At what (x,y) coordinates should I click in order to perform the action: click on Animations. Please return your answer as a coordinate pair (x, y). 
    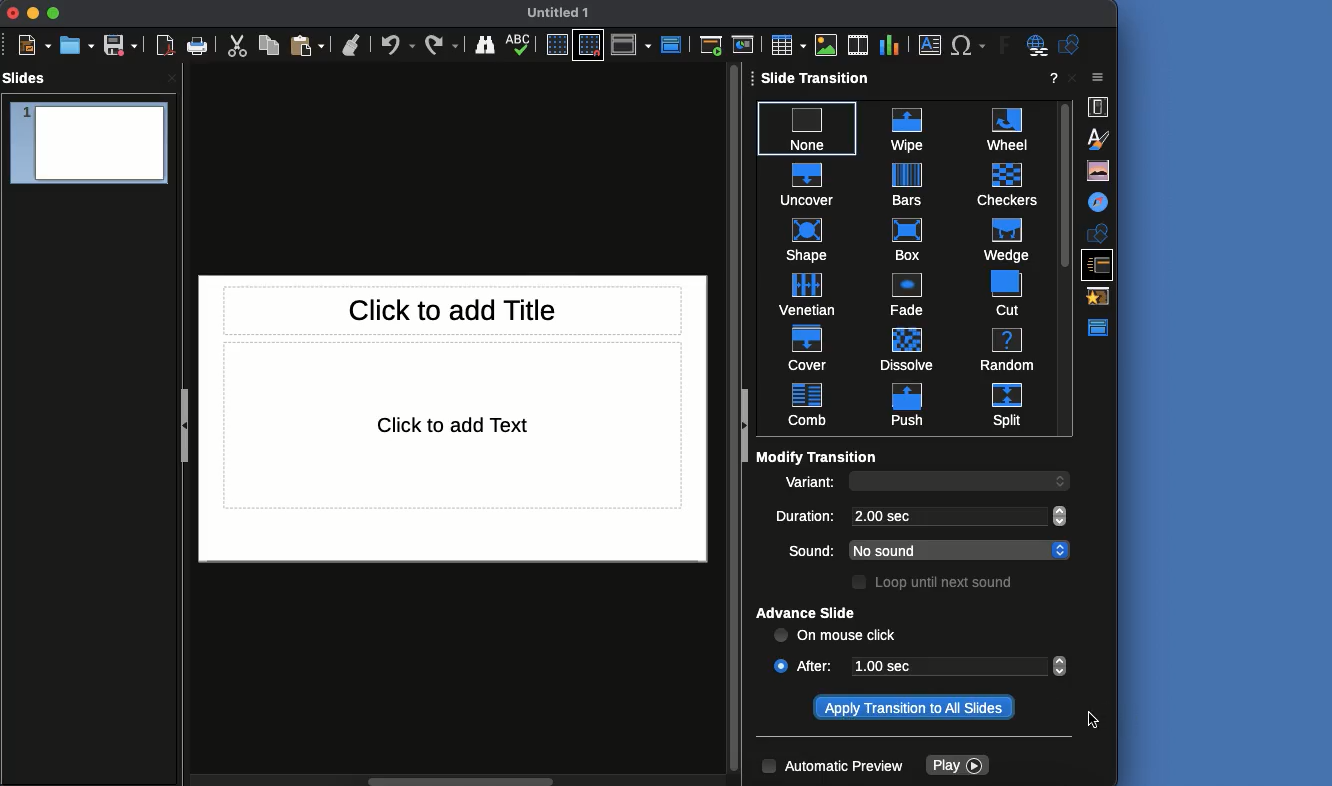
    Looking at the image, I should click on (1102, 295).